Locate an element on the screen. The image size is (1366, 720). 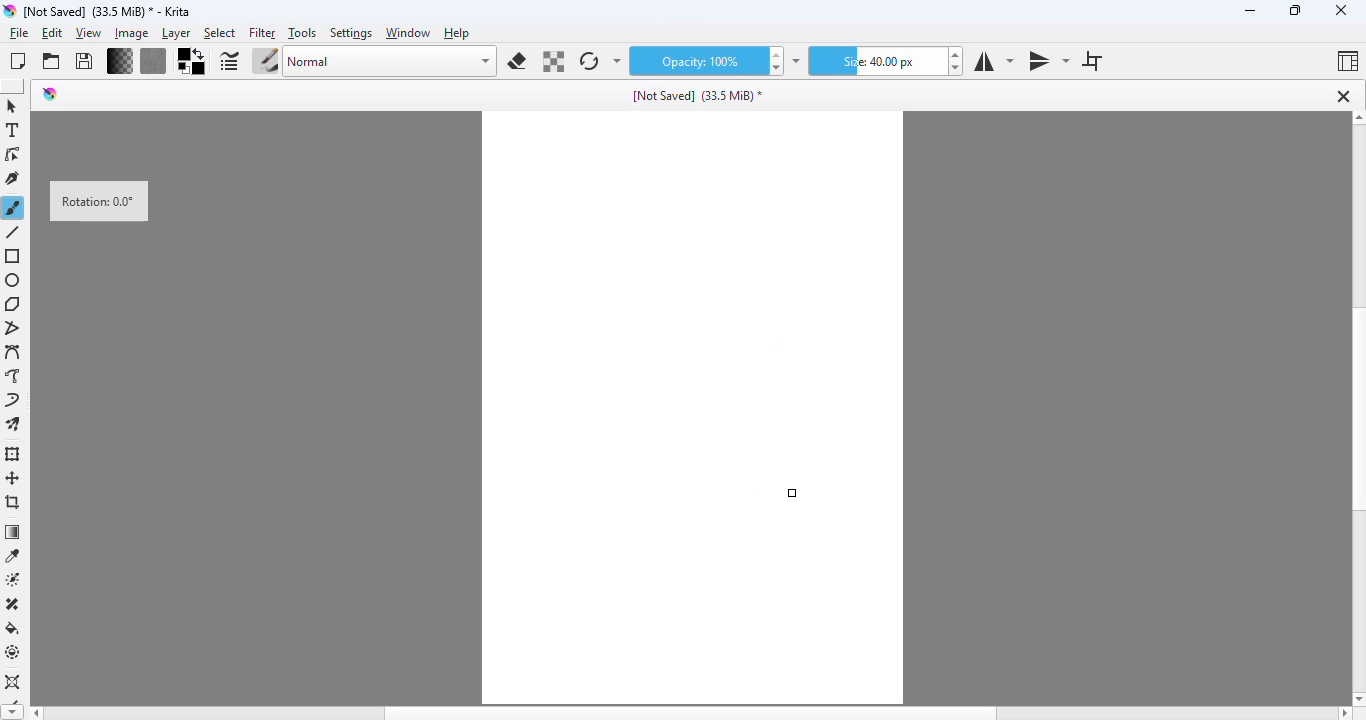
preserve alpha is located at coordinates (552, 61).